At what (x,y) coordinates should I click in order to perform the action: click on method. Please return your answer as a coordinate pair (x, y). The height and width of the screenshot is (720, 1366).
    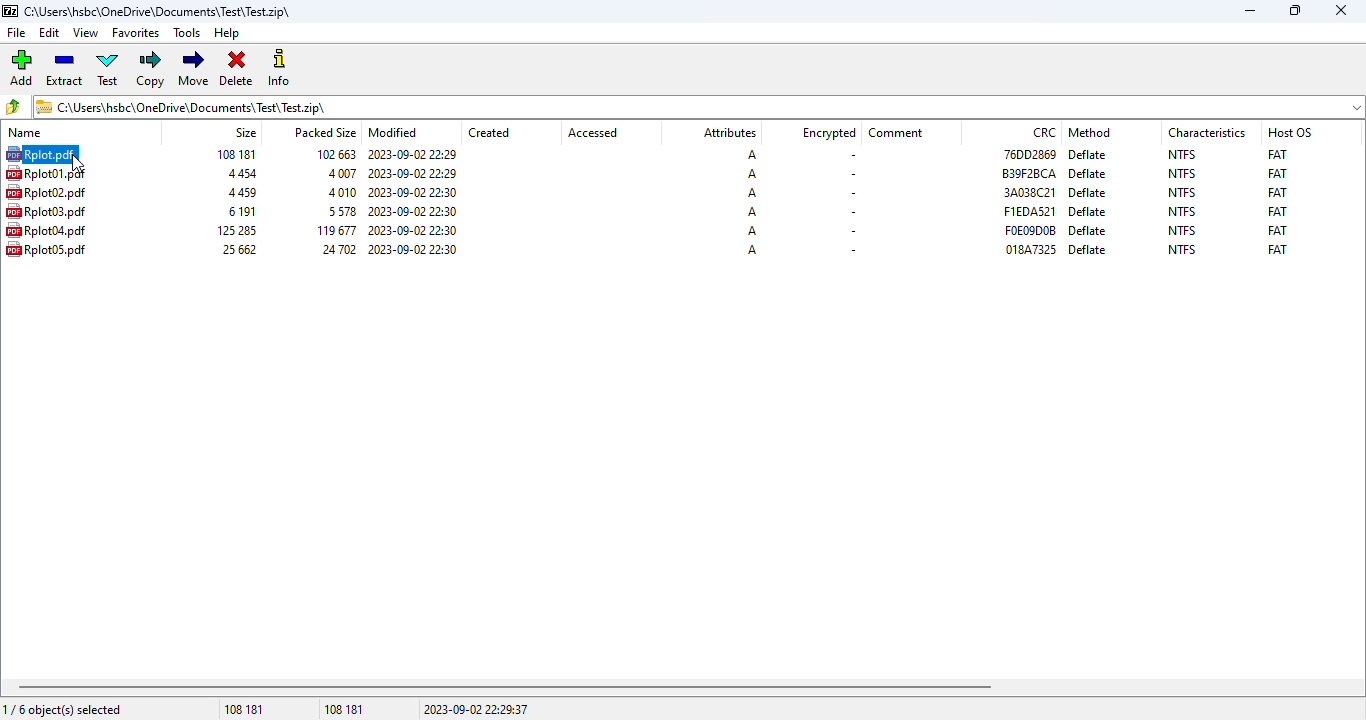
    Looking at the image, I should click on (1089, 132).